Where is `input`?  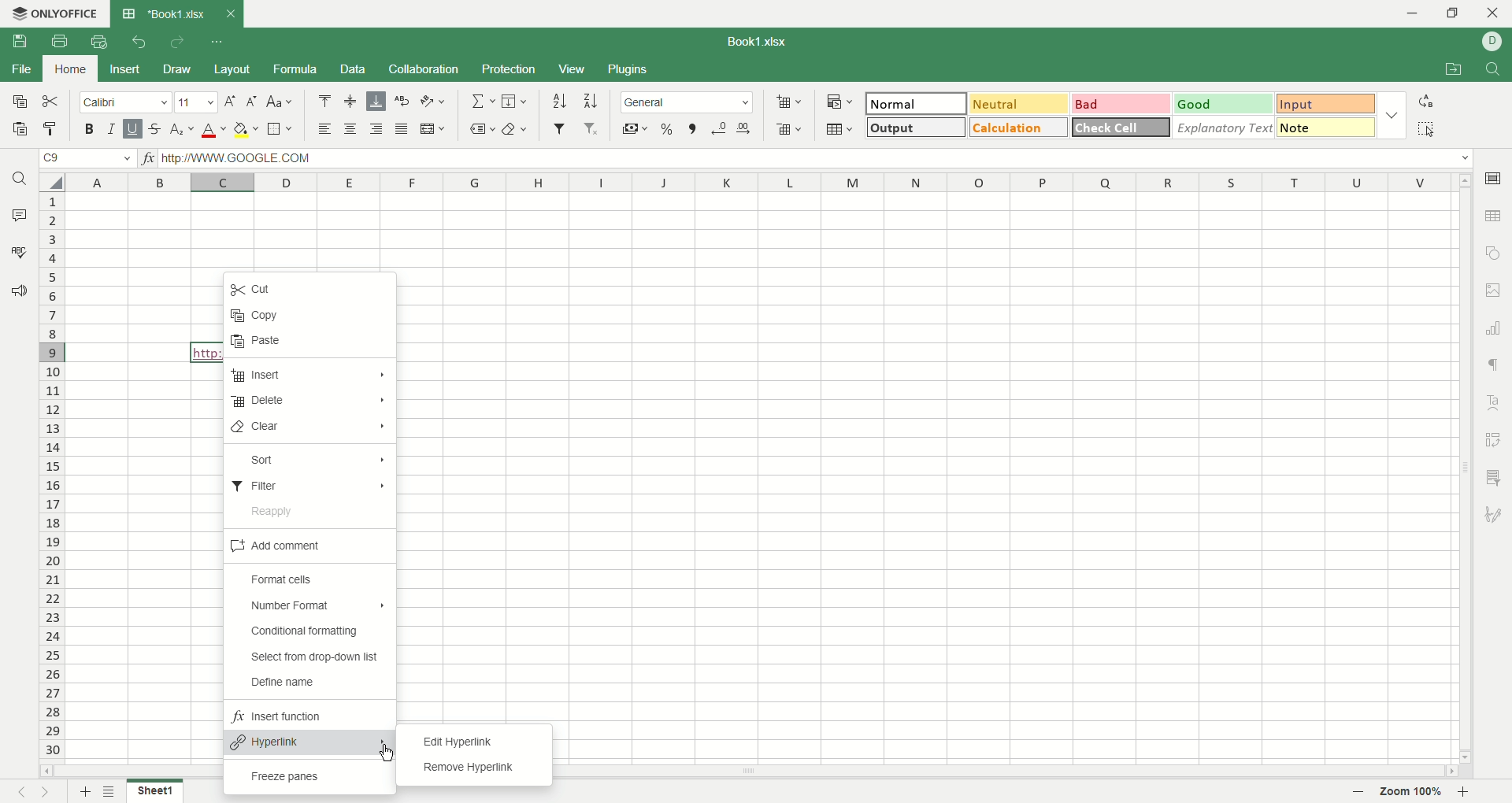 input is located at coordinates (1324, 105).